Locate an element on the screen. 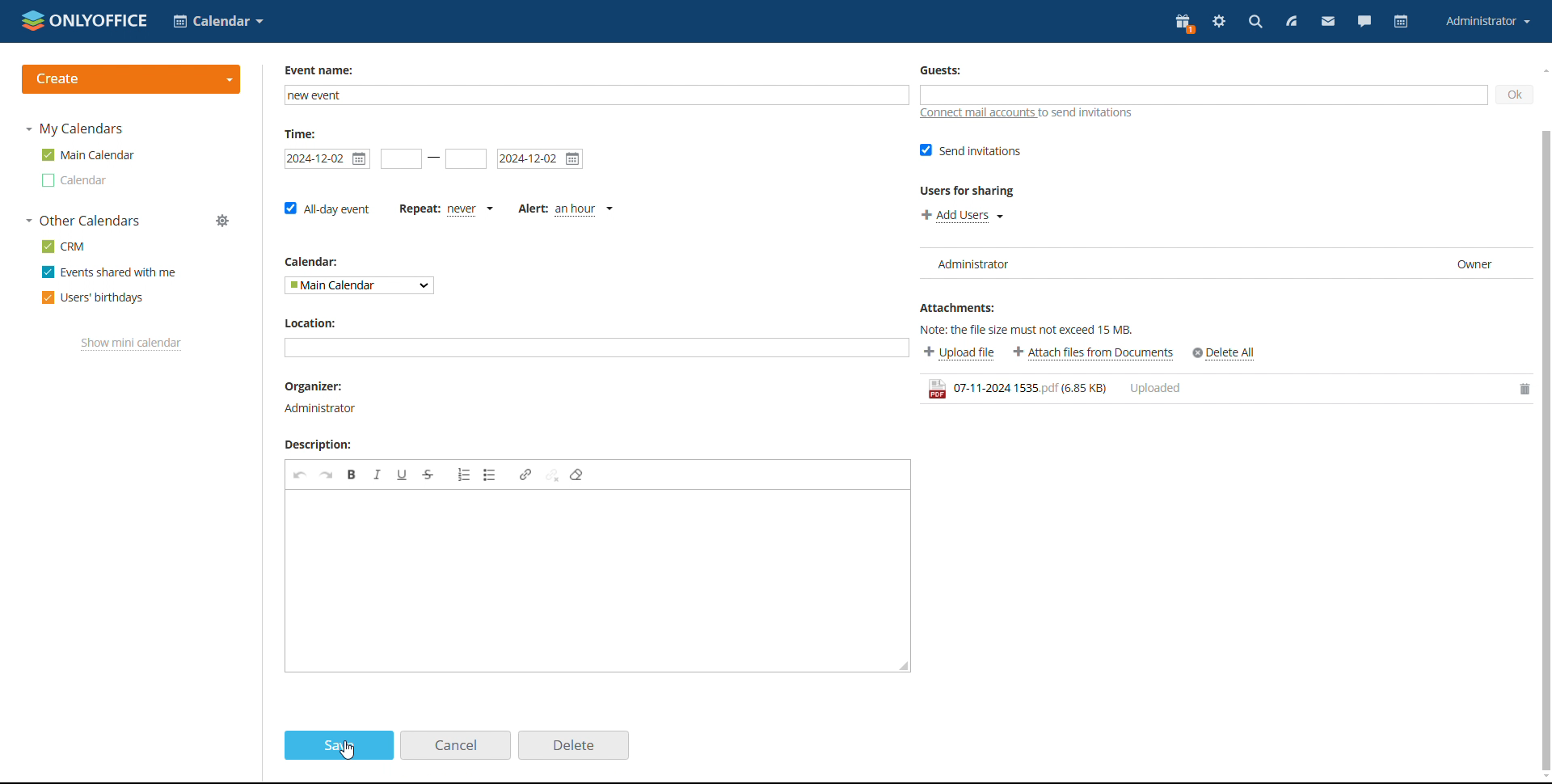 This screenshot has height=784, width=1552. add event name is located at coordinates (600, 95).